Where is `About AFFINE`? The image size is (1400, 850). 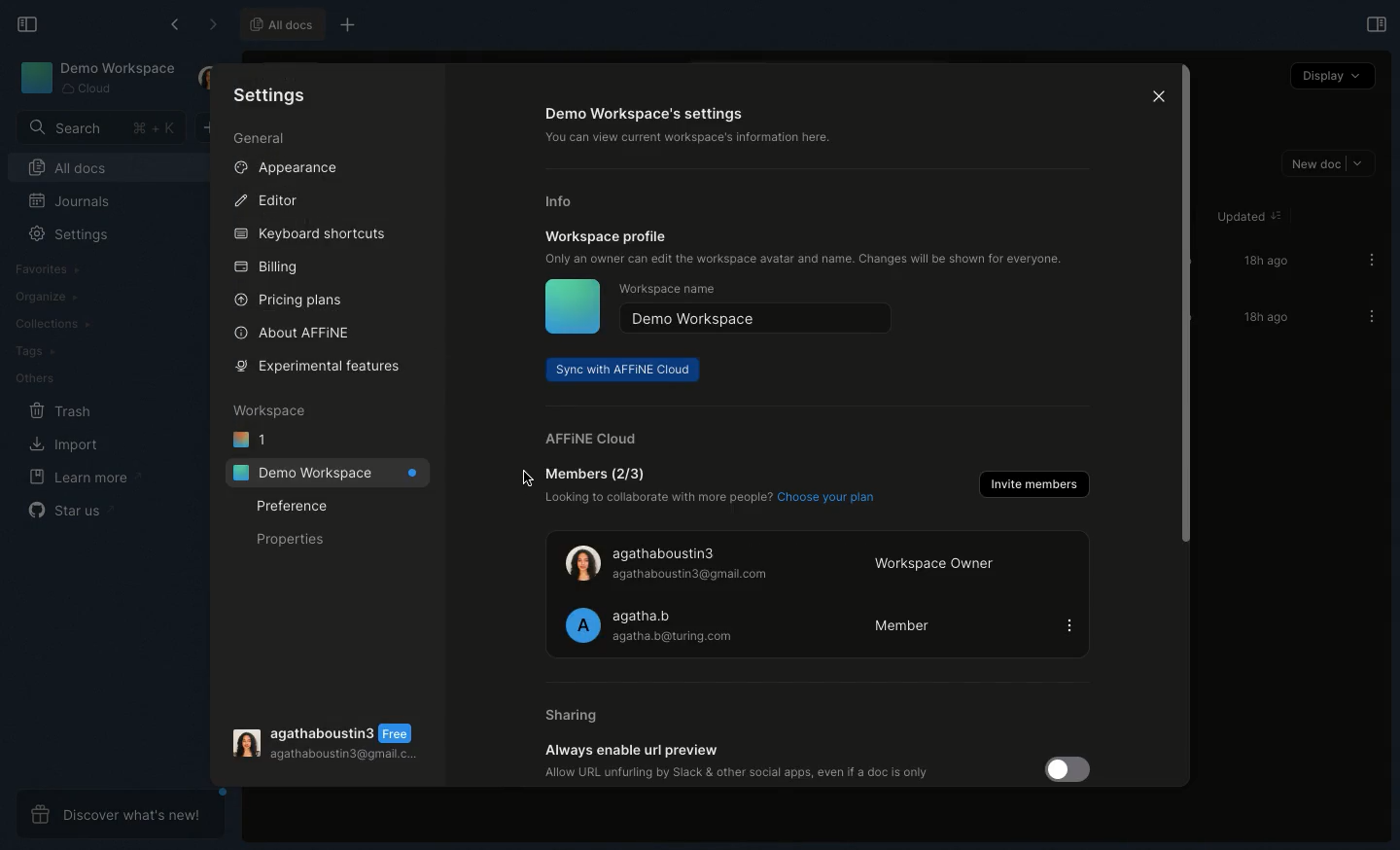 About AFFINE is located at coordinates (295, 332).